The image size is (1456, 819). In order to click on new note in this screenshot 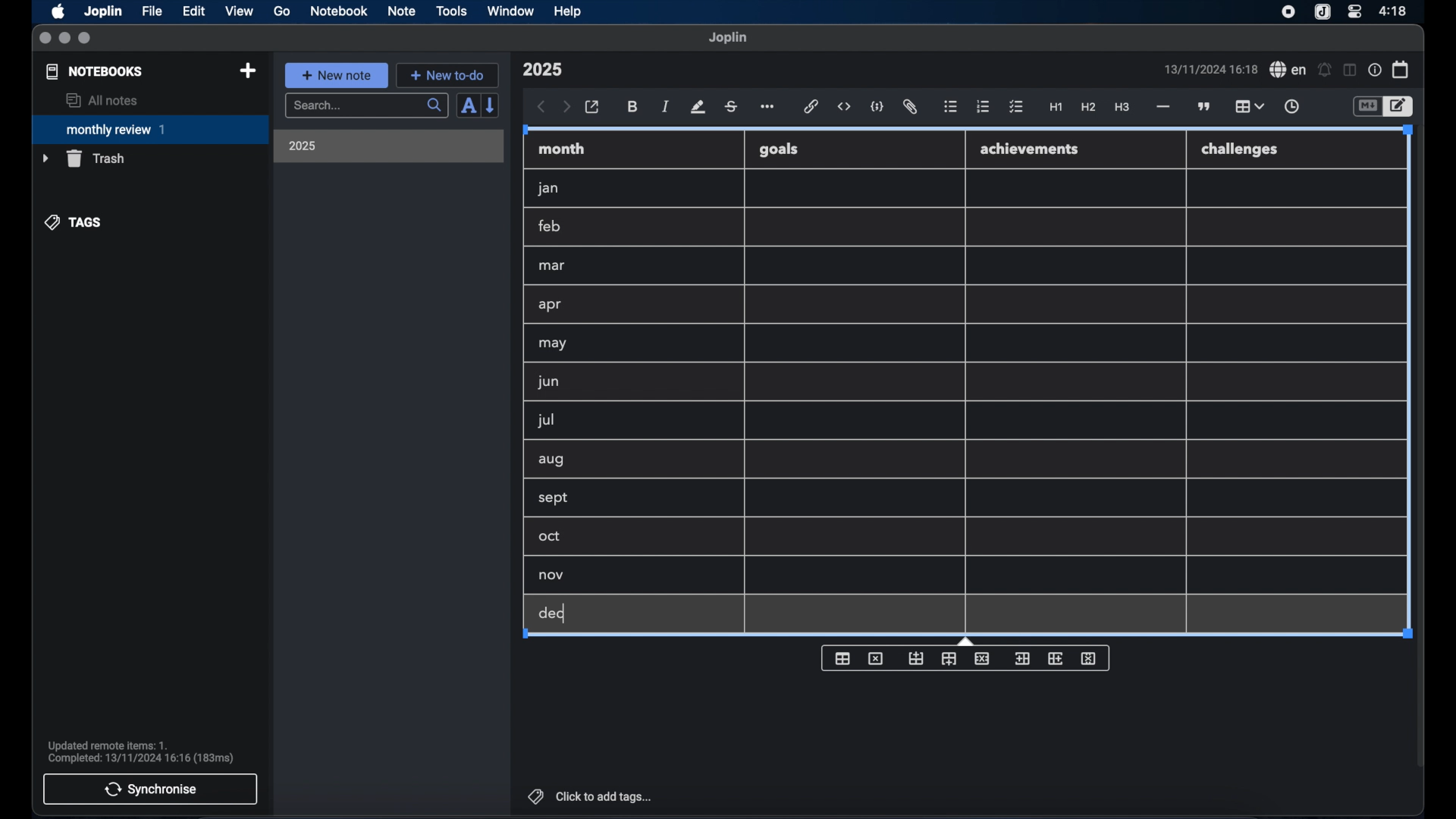, I will do `click(336, 75)`.